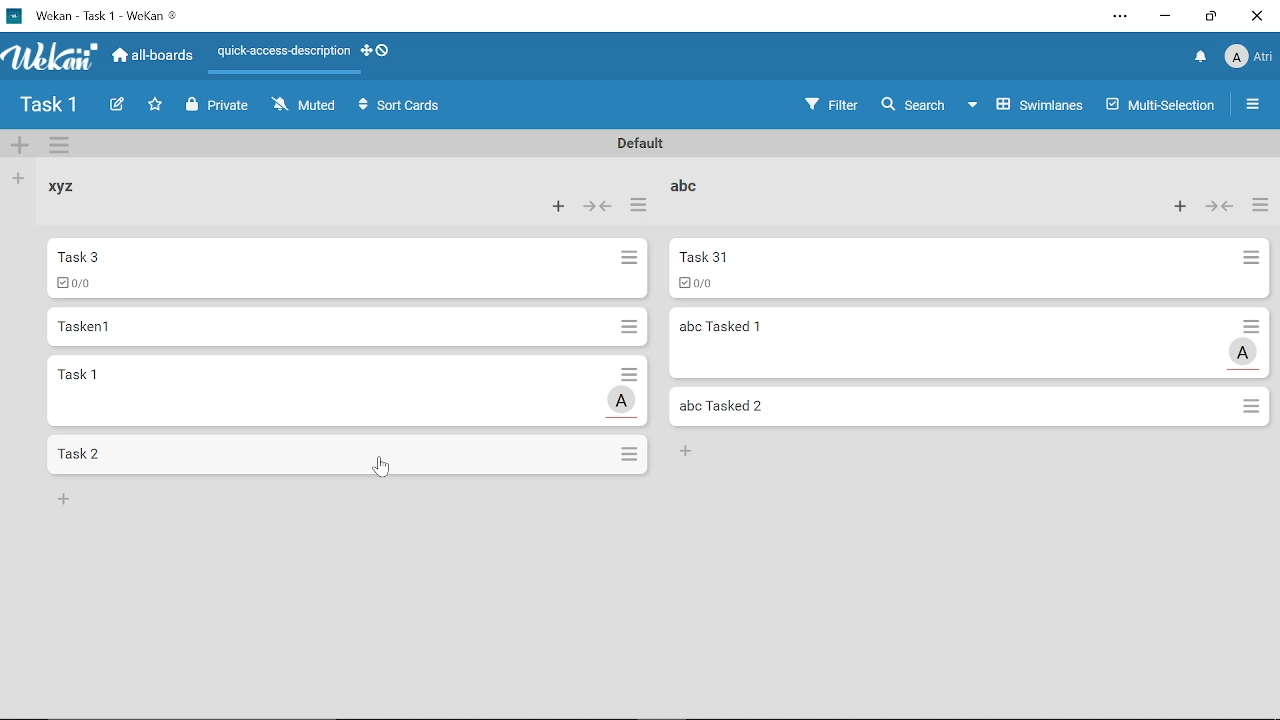 The height and width of the screenshot is (720, 1280). I want to click on Task assigned to, so click(1245, 352).